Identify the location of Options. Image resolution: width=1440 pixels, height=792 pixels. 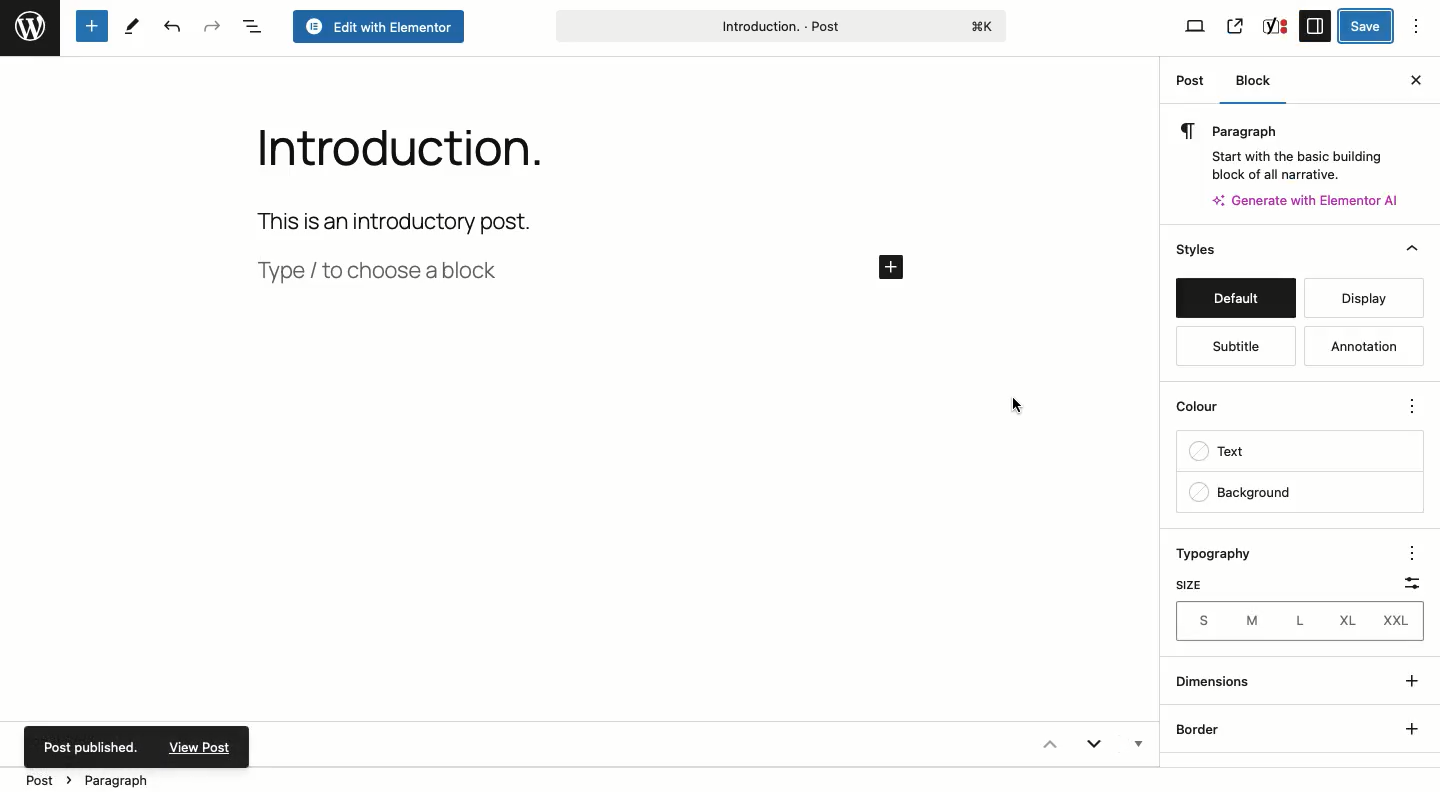
(1425, 27).